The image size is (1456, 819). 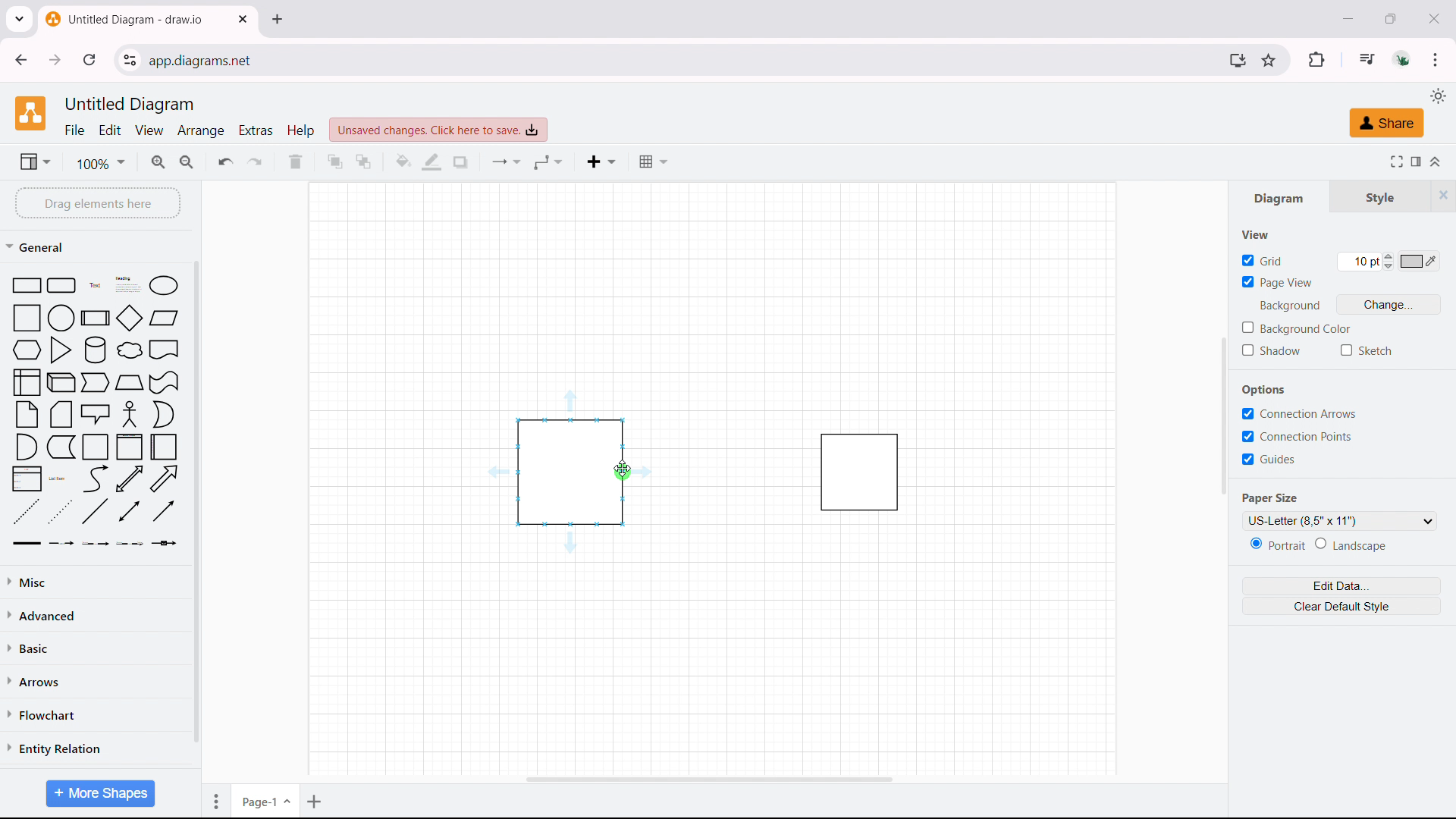 What do you see at coordinates (1394, 161) in the screenshot?
I see `fullscreen` at bounding box center [1394, 161].